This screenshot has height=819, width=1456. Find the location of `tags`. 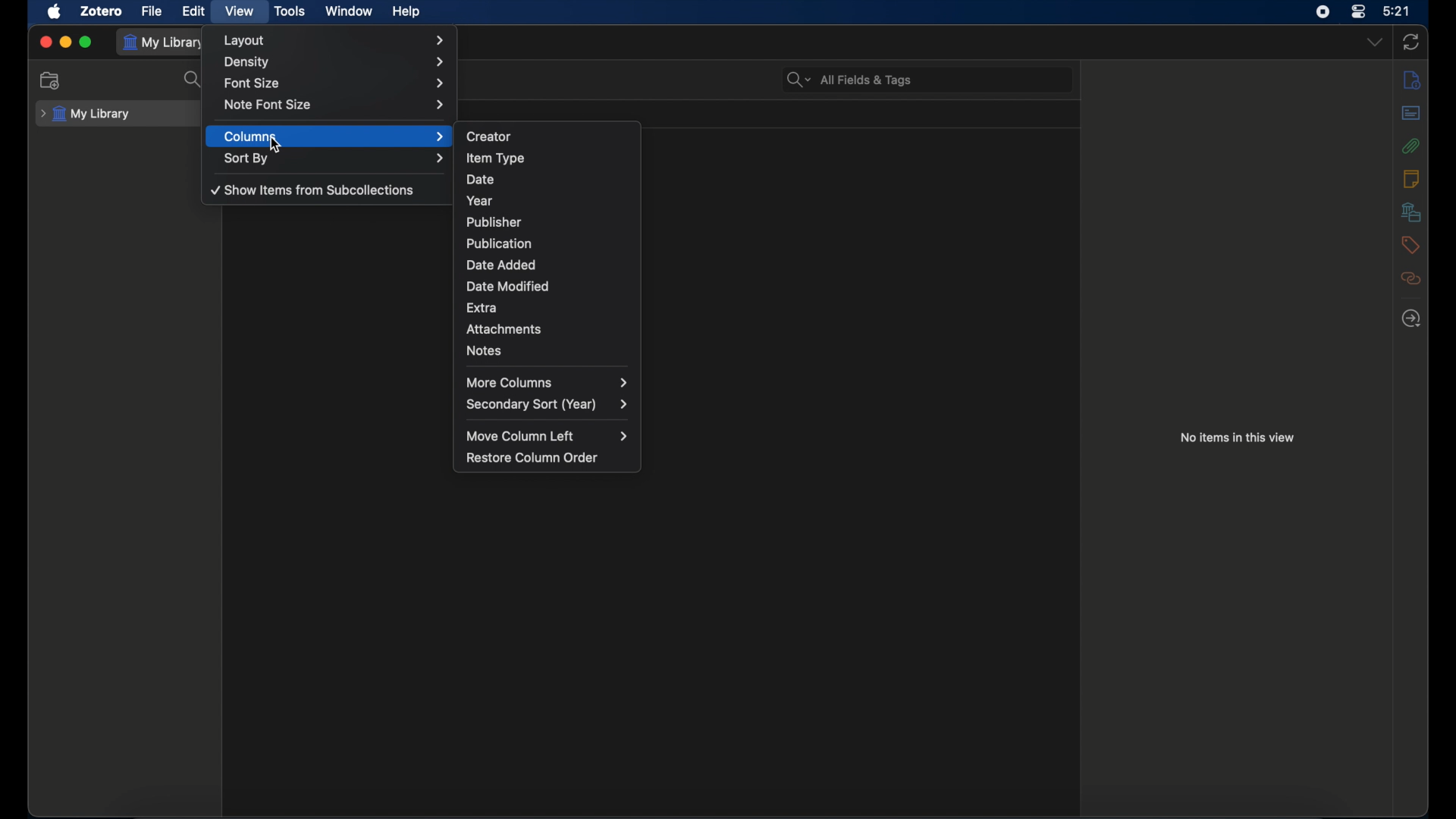

tags is located at coordinates (1410, 244).